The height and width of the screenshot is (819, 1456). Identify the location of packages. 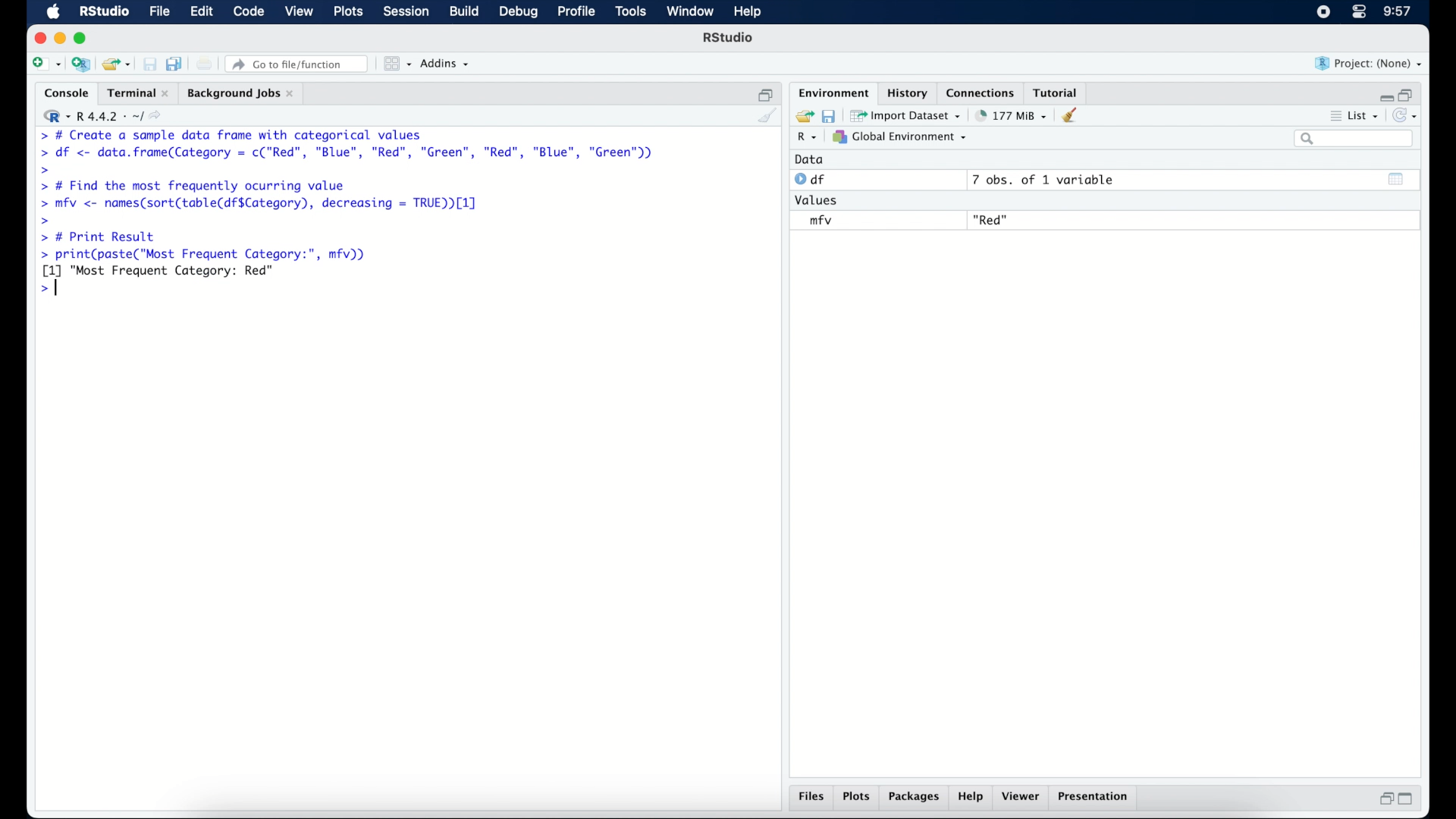
(915, 799).